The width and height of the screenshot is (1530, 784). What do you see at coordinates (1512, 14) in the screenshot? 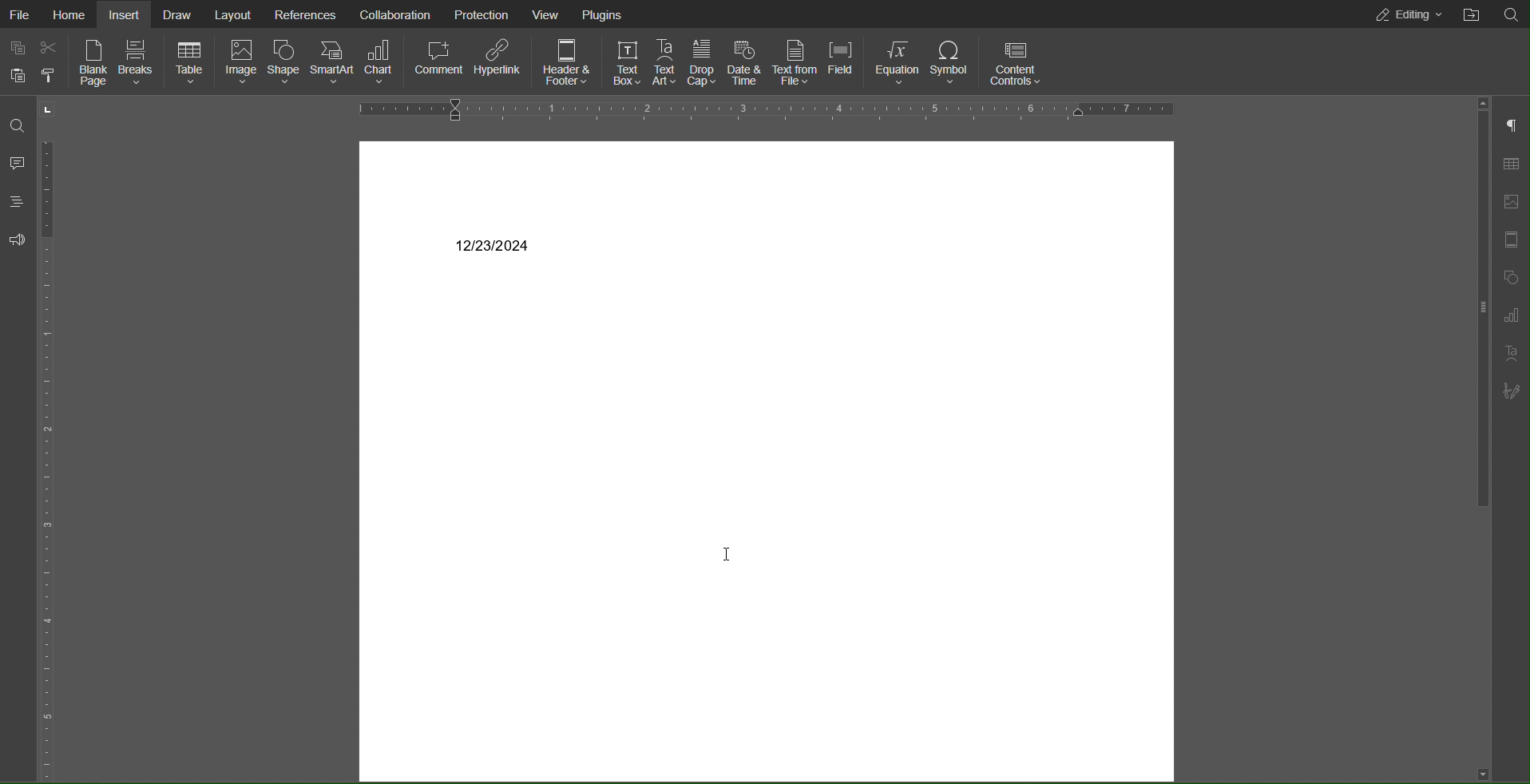
I see `Open File Location` at bounding box center [1512, 14].